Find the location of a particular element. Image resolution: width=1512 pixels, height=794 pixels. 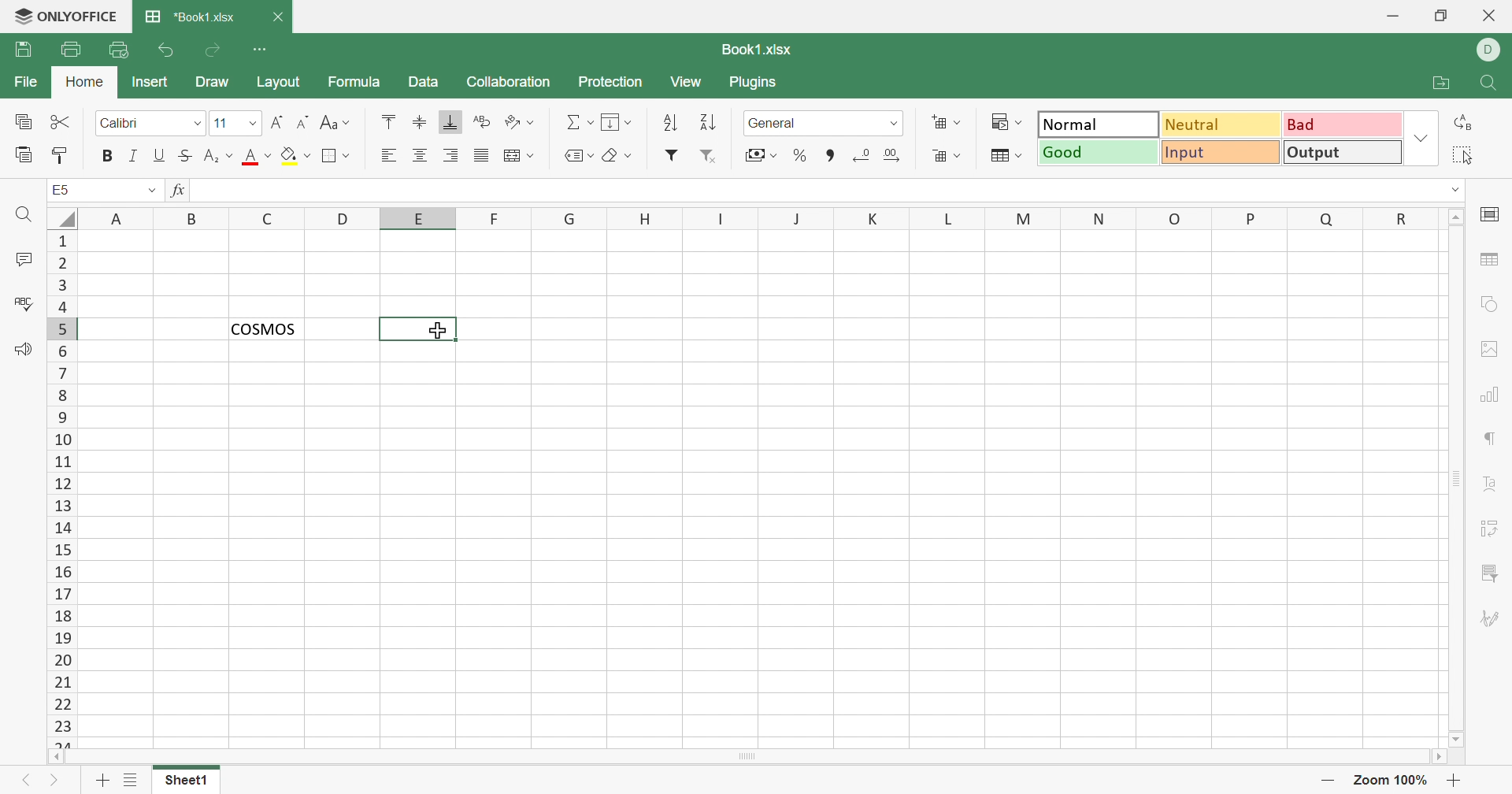

Normal is located at coordinates (1099, 123).